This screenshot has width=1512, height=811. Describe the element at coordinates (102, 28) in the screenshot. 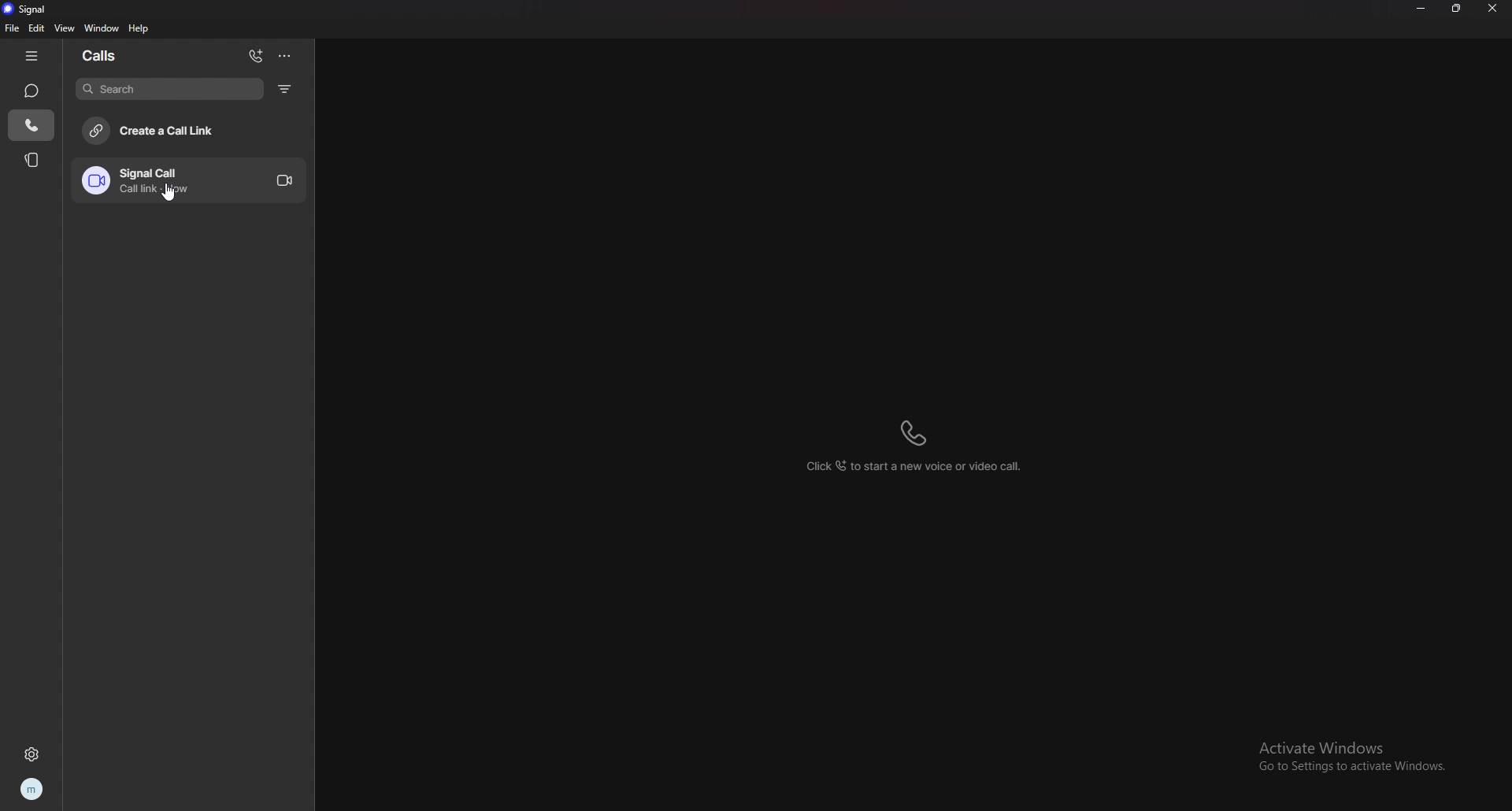

I see `window` at that location.